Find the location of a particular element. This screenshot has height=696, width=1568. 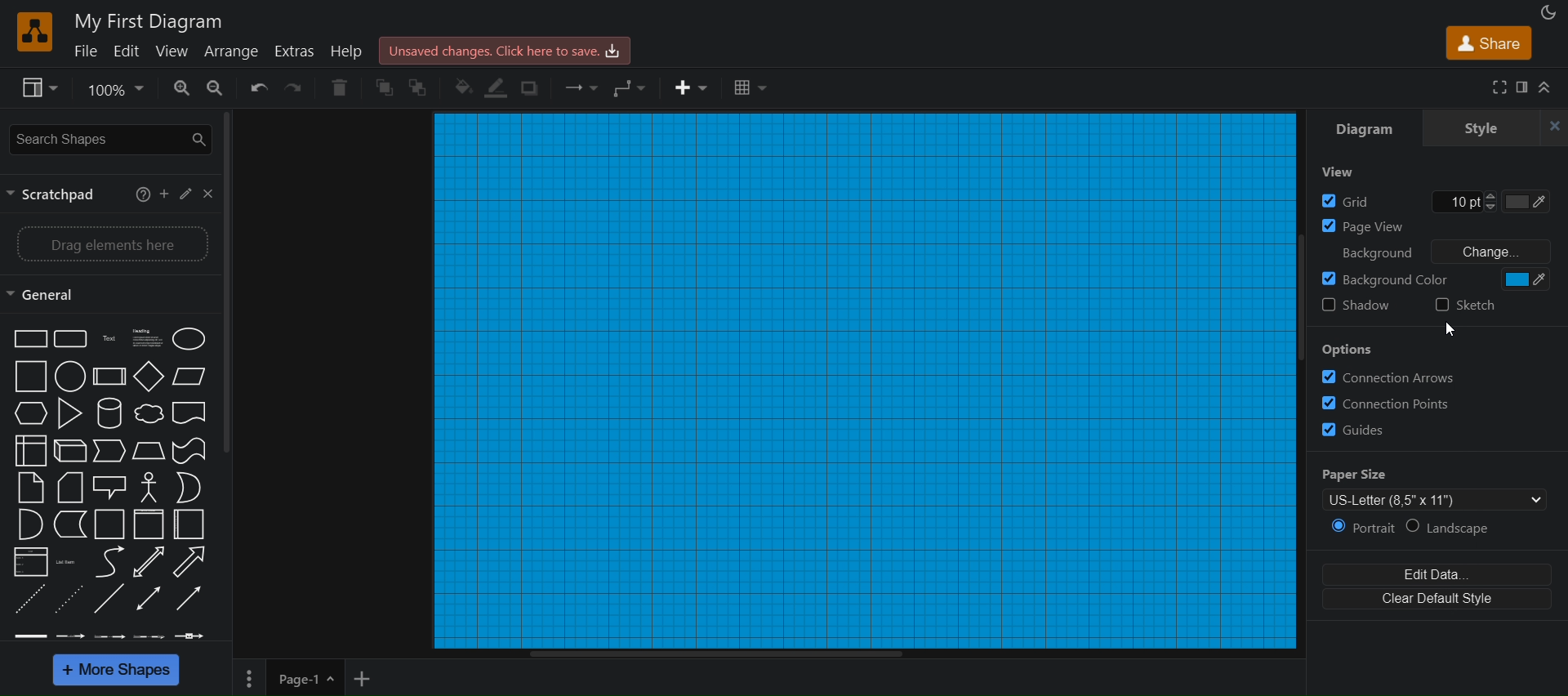

background is located at coordinates (1372, 250).